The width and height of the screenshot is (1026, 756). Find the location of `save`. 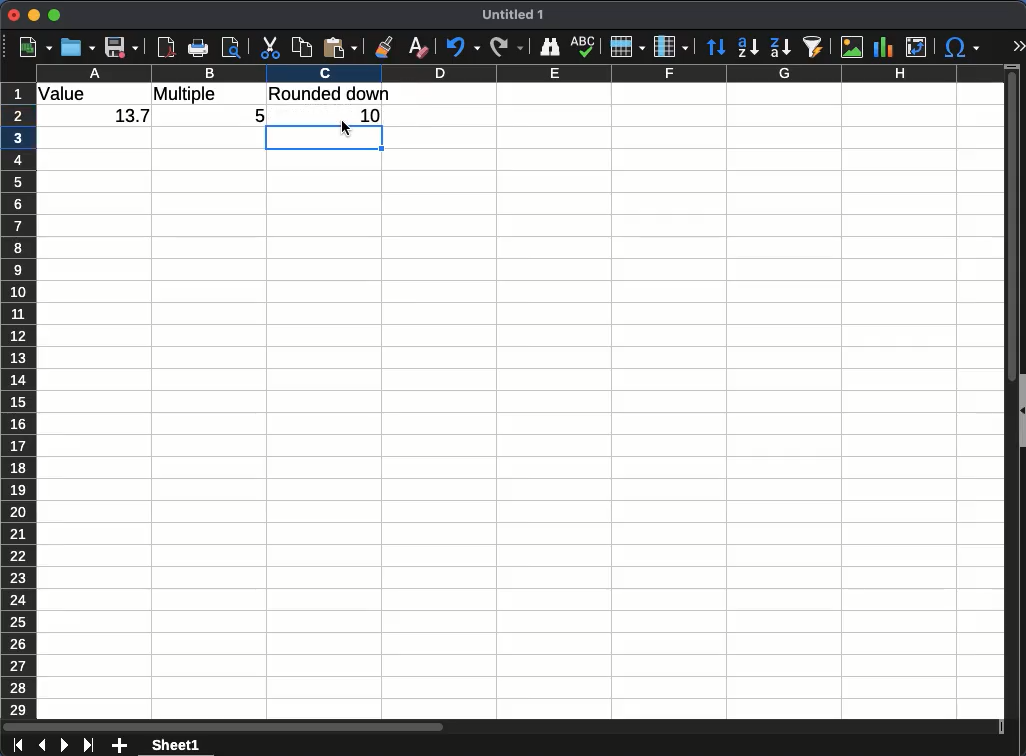

save is located at coordinates (122, 48).